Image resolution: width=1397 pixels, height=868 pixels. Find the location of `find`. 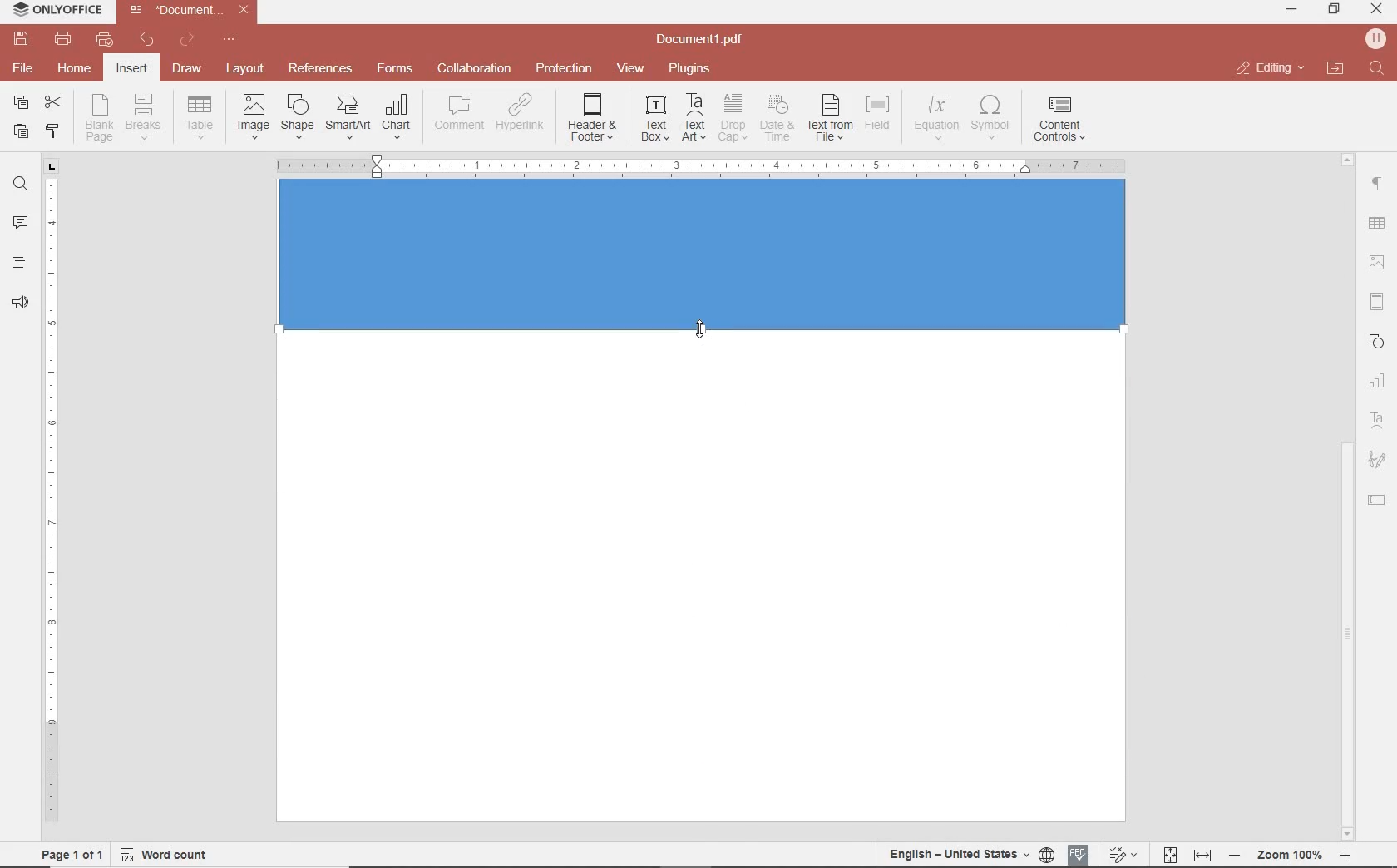

find is located at coordinates (1379, 69).